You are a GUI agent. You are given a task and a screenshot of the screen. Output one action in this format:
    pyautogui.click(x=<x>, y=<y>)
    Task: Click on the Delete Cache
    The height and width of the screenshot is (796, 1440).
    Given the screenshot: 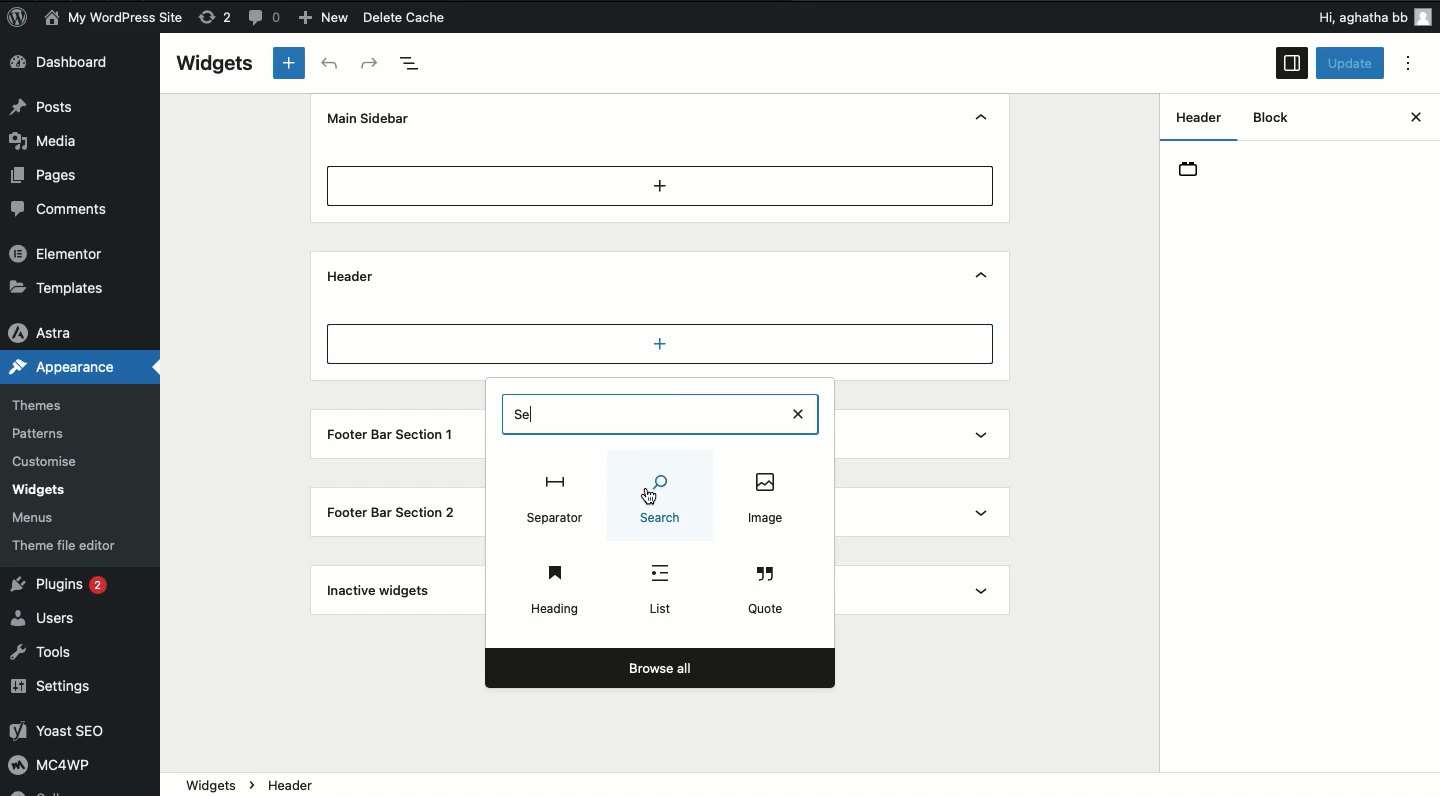 What is the action you would take?
    pyautogui.click(x=441, y=19)
    